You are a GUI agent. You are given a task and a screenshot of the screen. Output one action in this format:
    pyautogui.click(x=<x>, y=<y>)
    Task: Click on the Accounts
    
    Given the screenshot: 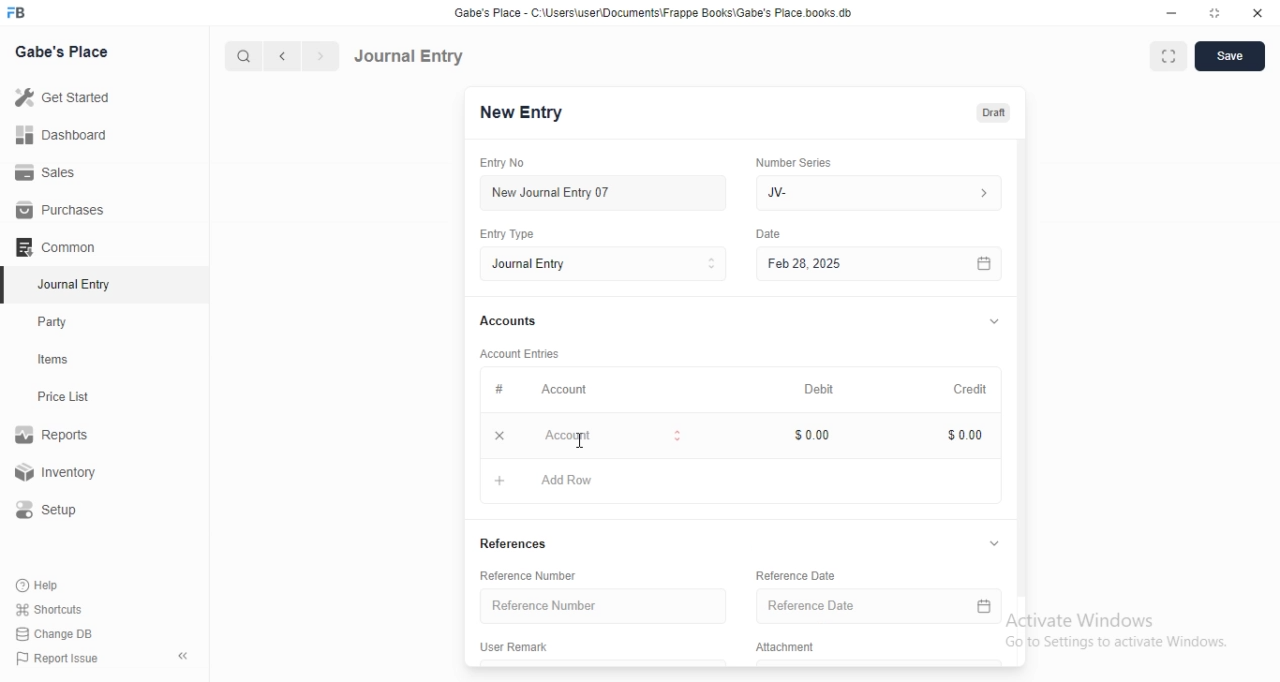 What is the action you would take?
    pyautogui.click(x=506, y=321)
    